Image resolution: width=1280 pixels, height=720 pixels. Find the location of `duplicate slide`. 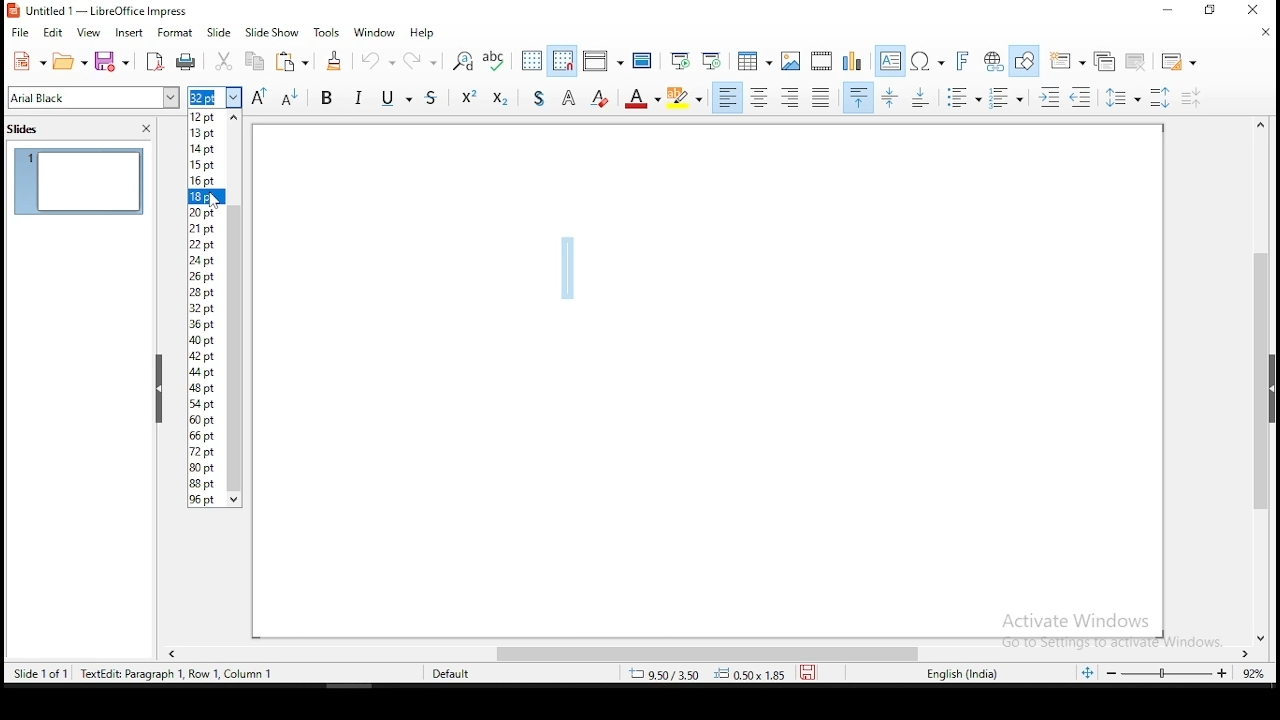

duplicate slide is located at coordinates (1108, 60).